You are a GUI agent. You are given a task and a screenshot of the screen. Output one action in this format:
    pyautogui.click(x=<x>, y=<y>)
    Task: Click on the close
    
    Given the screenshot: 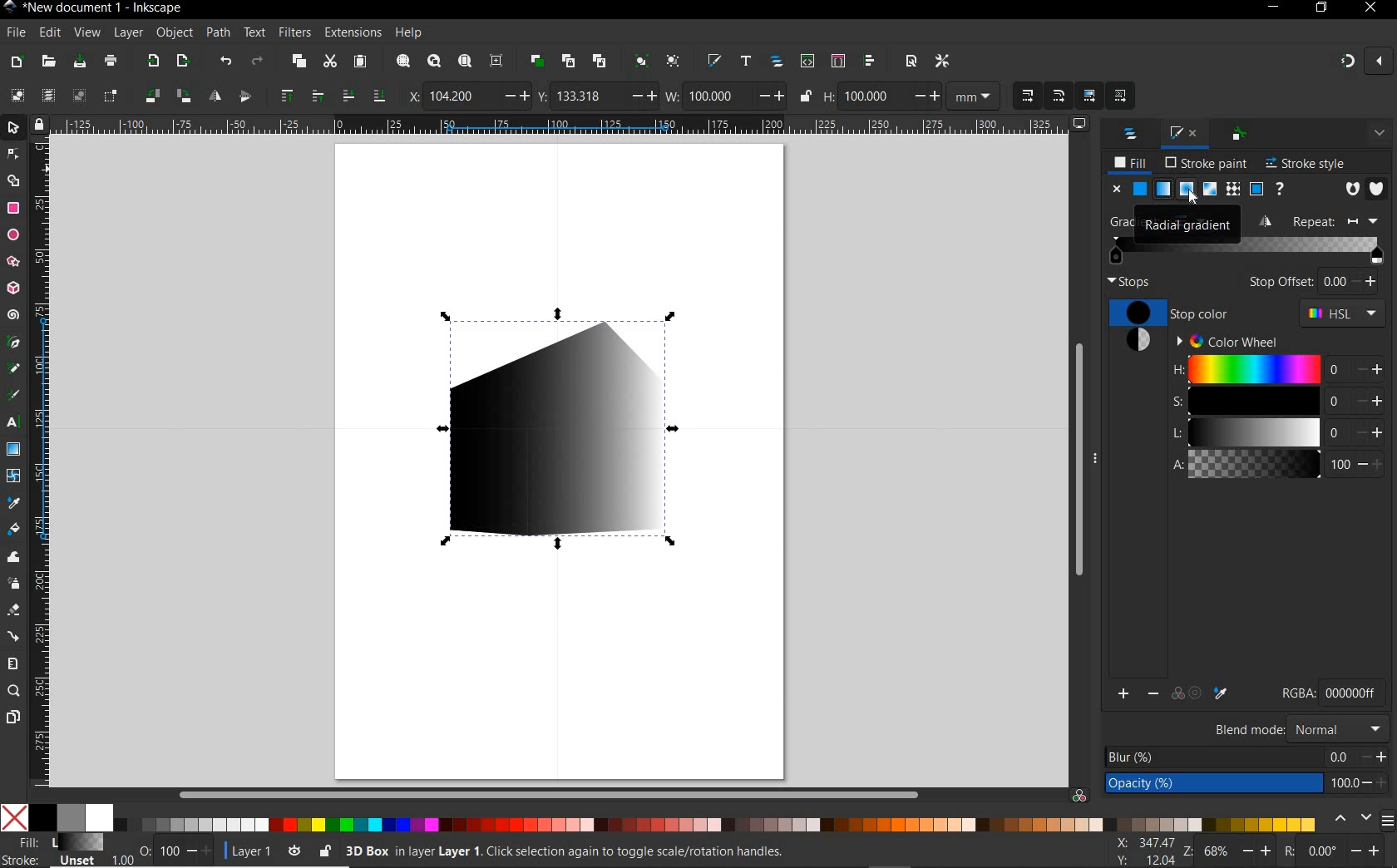 What is the action you would take?
    pyautogui.click(x=1115, y=189)
    